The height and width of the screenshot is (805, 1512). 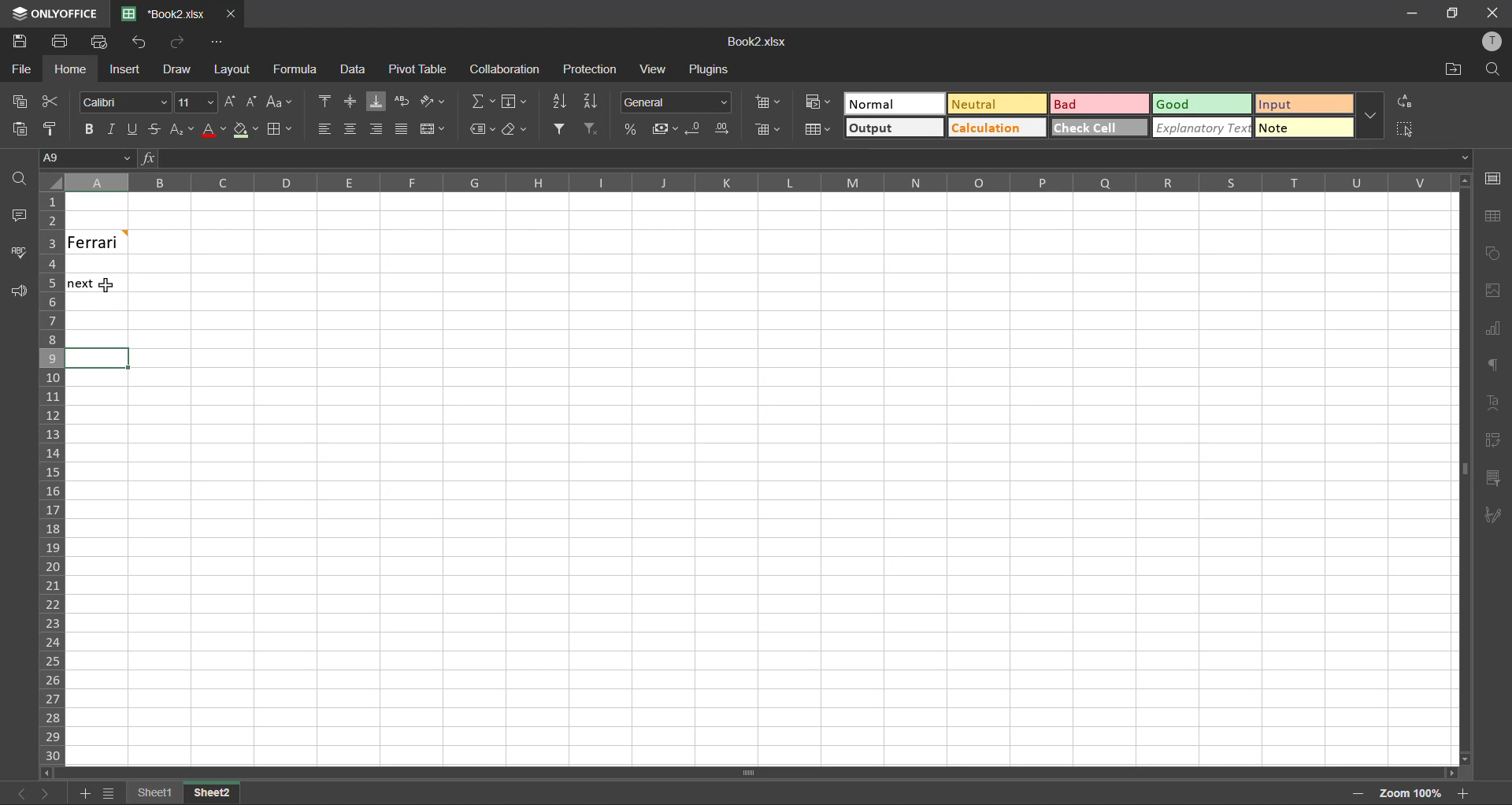 I want to click on view, so click(x=652, y=69).